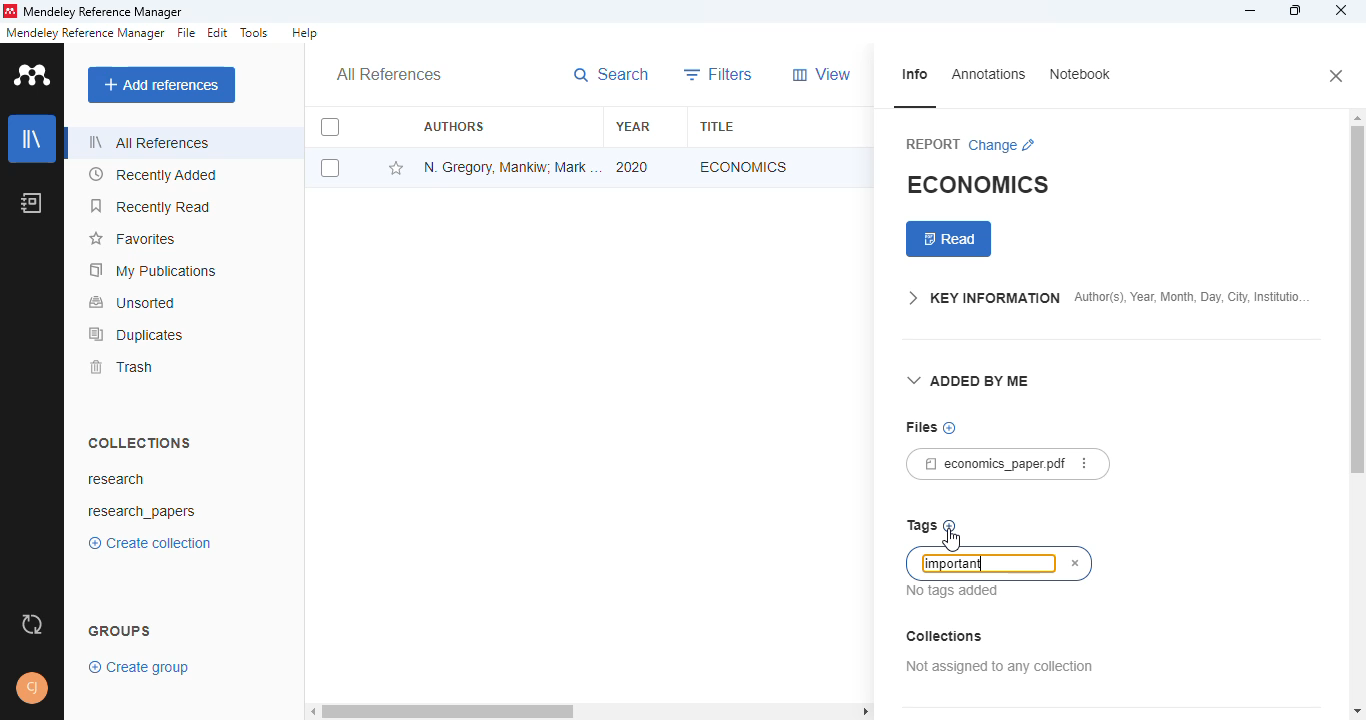 Image resolution: width=1366 pixels, height=720 pixels. I want to click on economics_paper.pdf, so click(987, 463).